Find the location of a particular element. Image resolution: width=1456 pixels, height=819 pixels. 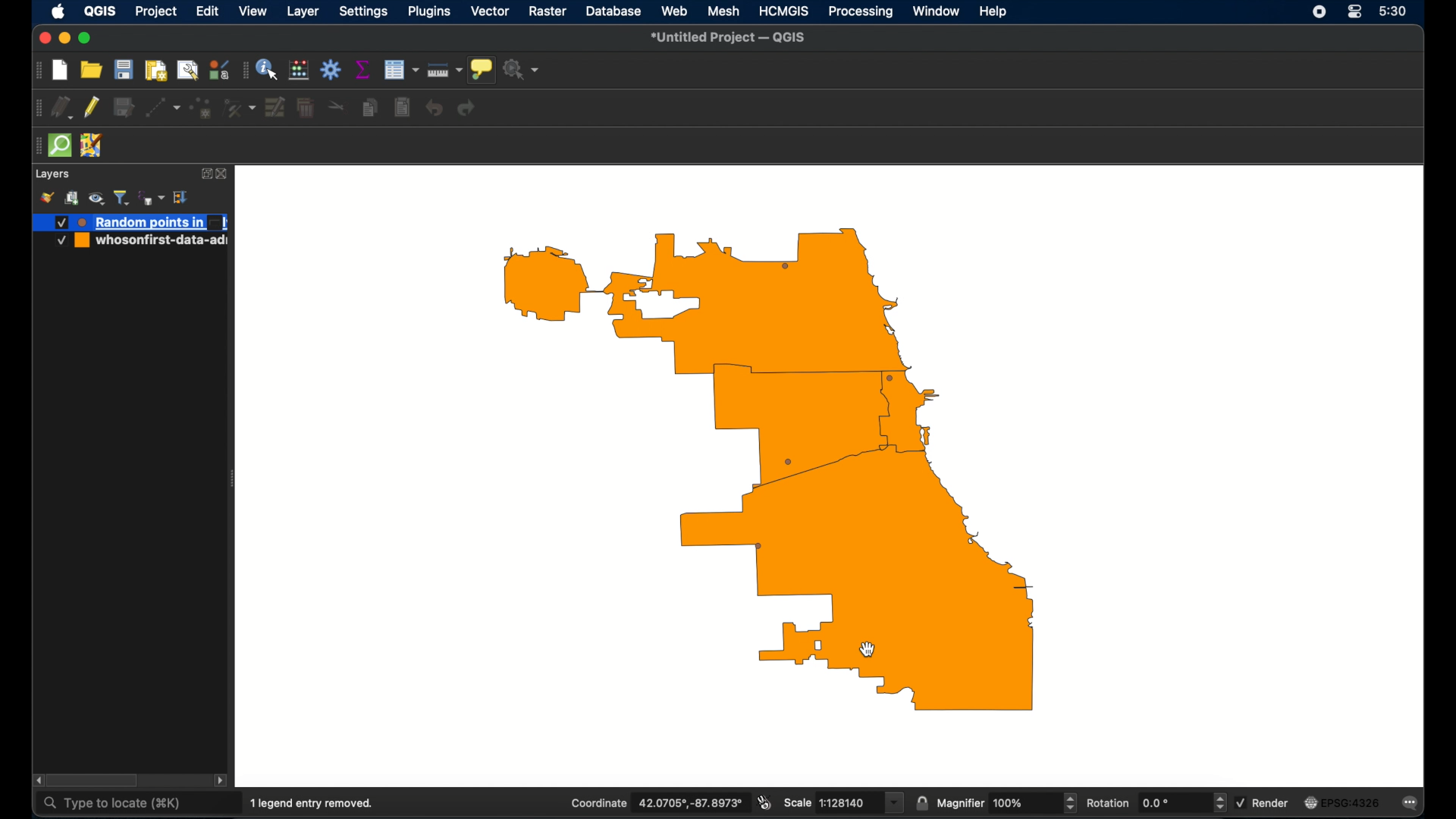

random point is located at coordinates (758, 546).